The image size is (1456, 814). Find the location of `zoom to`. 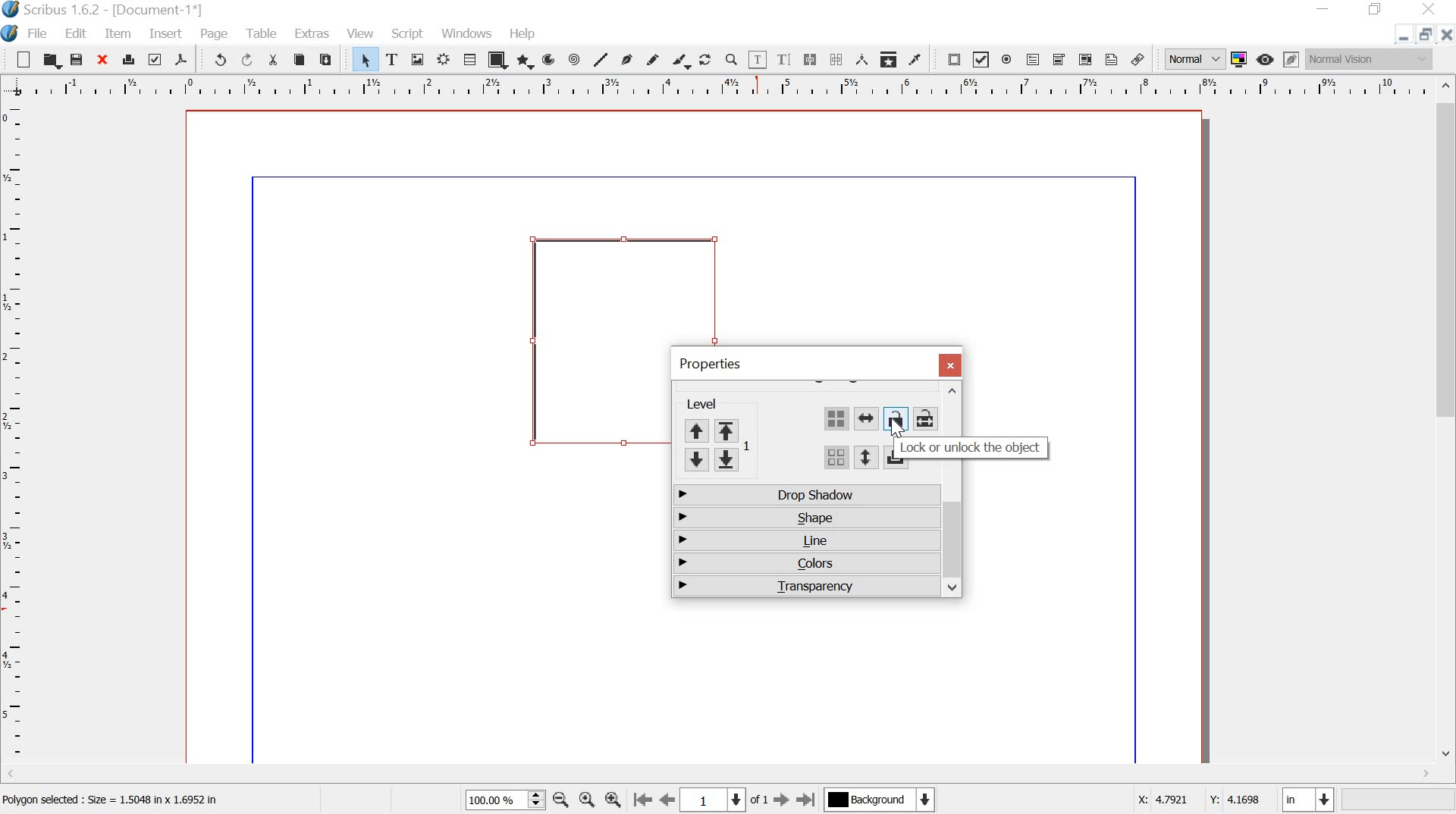

zoom to is located at coordinates (586, 800).